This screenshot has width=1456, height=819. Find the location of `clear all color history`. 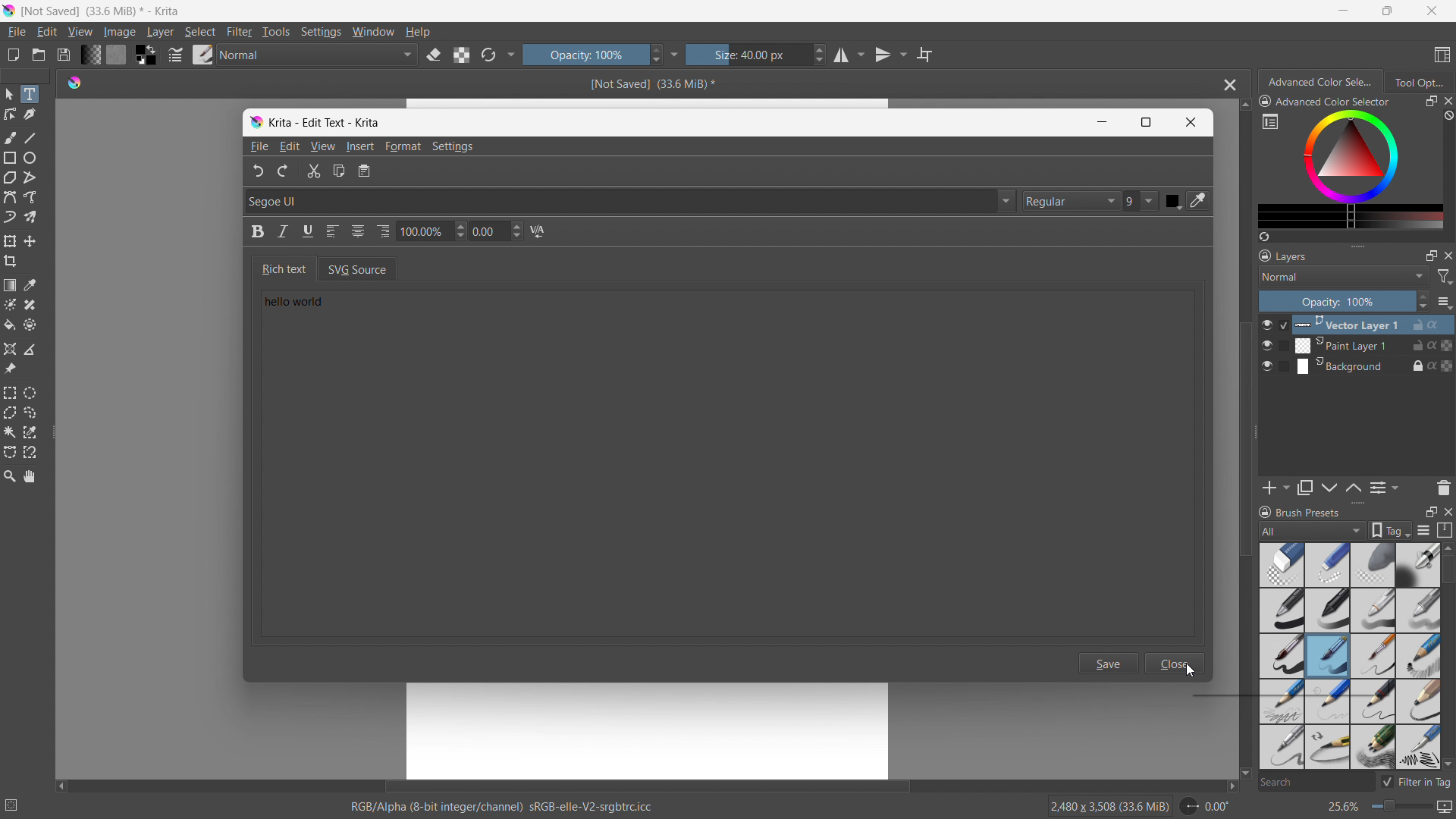

clear all color history is located at coordinates (1447, 116).